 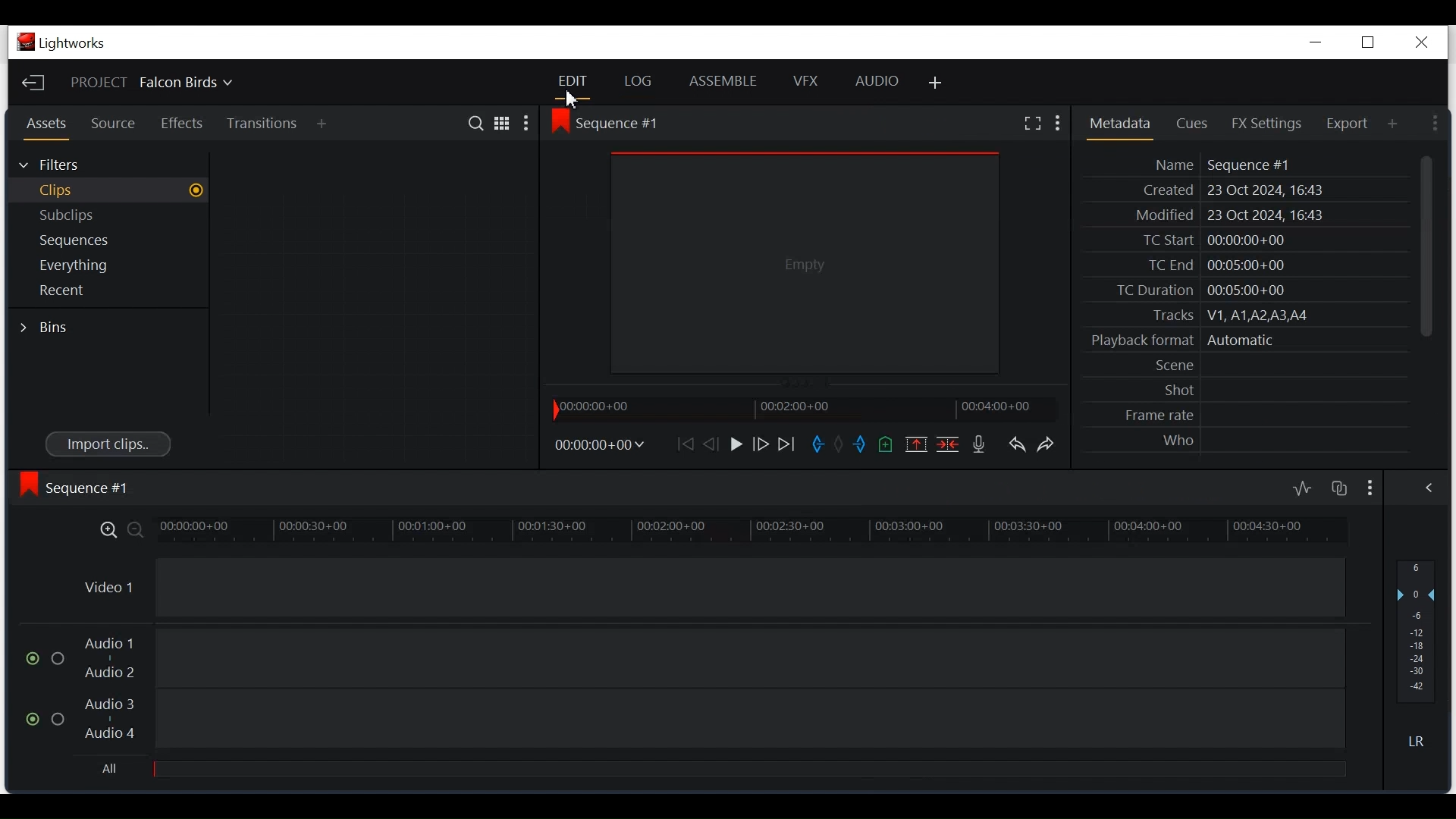 I want to click on Vertical Scroll bar, so click(x=1427, y=246).